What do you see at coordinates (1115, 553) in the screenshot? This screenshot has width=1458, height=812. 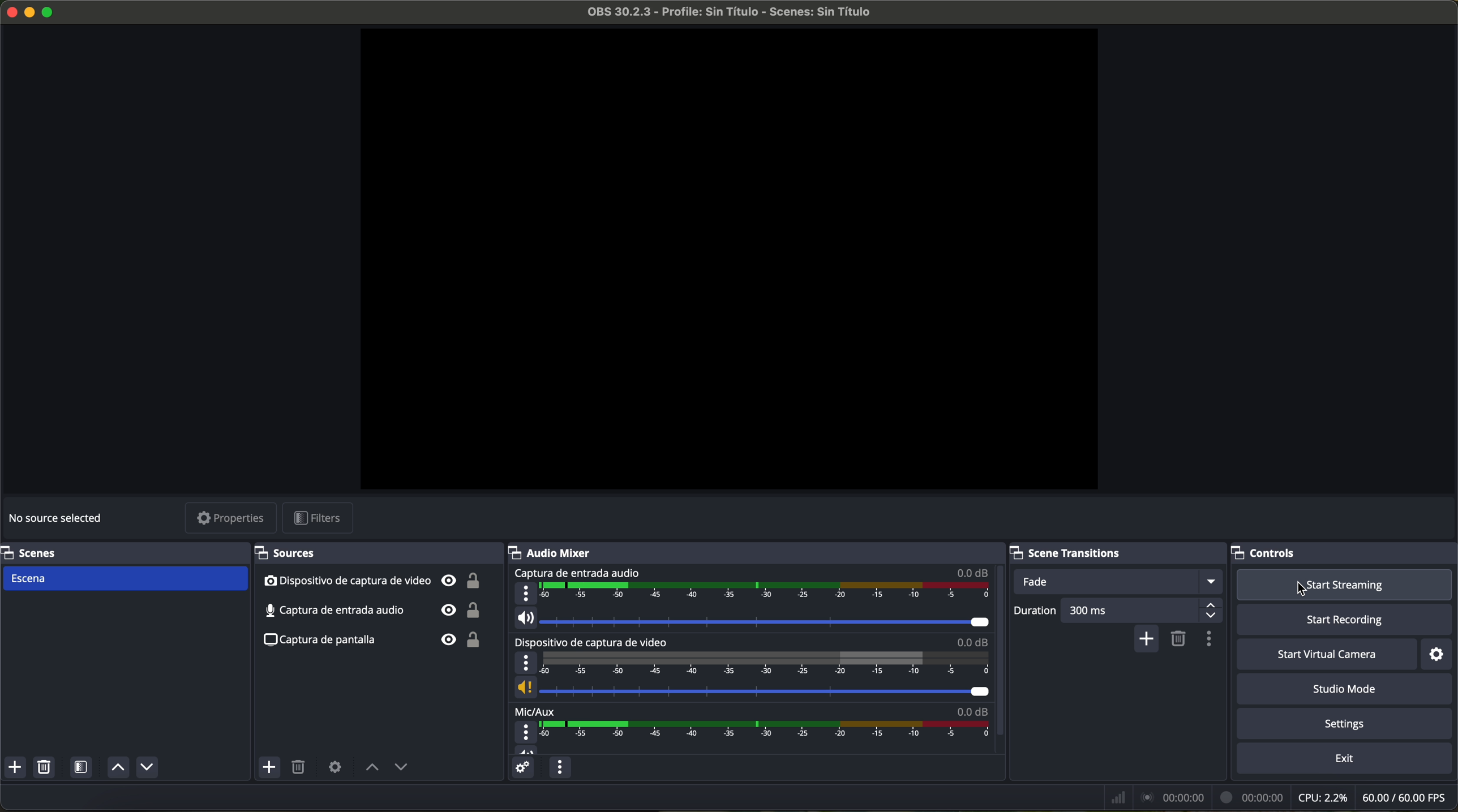 I see `scene transitions` at bounding box center [1115, 553].